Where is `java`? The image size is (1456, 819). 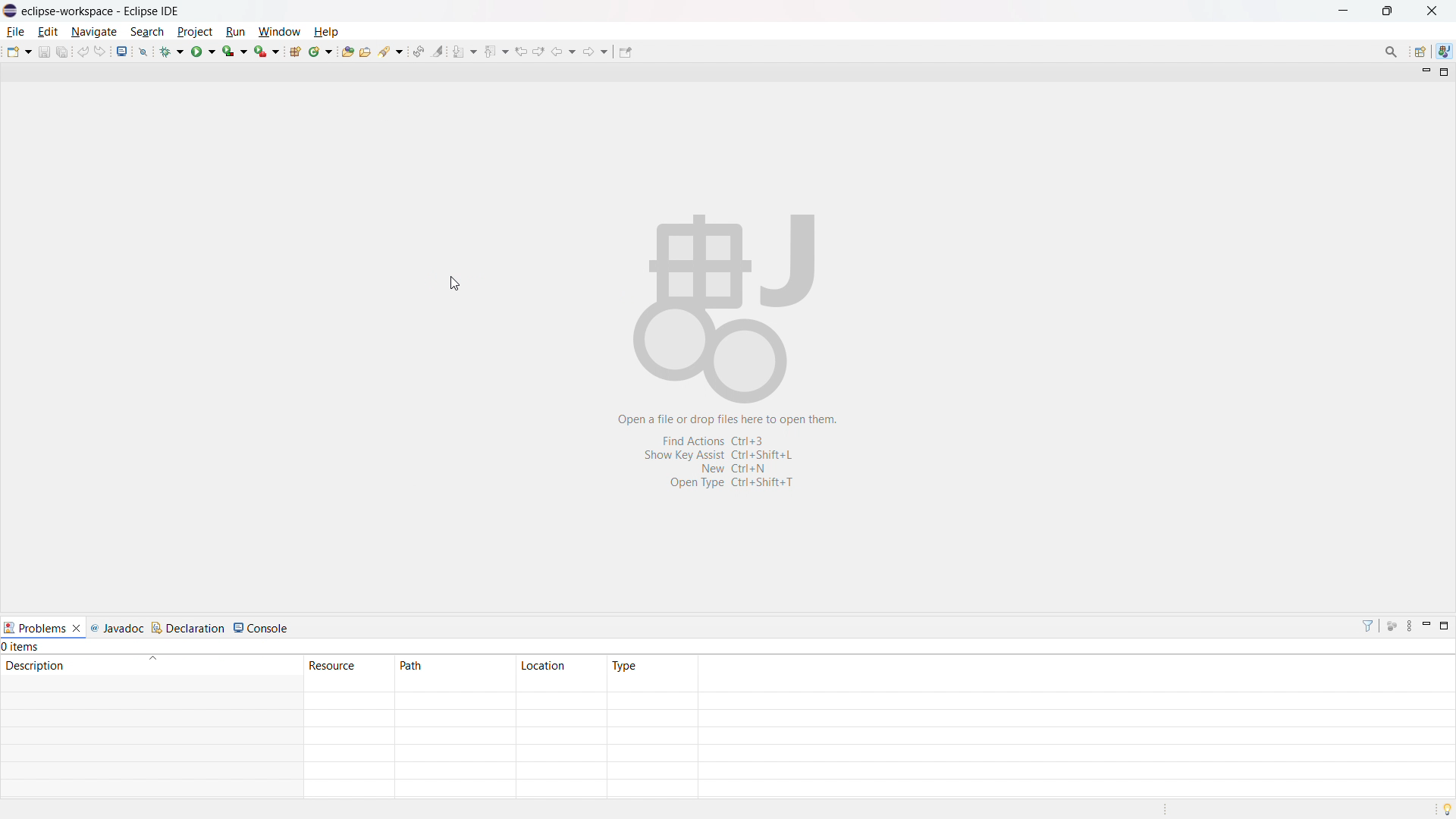
java is located at coordinates (1445, 50).